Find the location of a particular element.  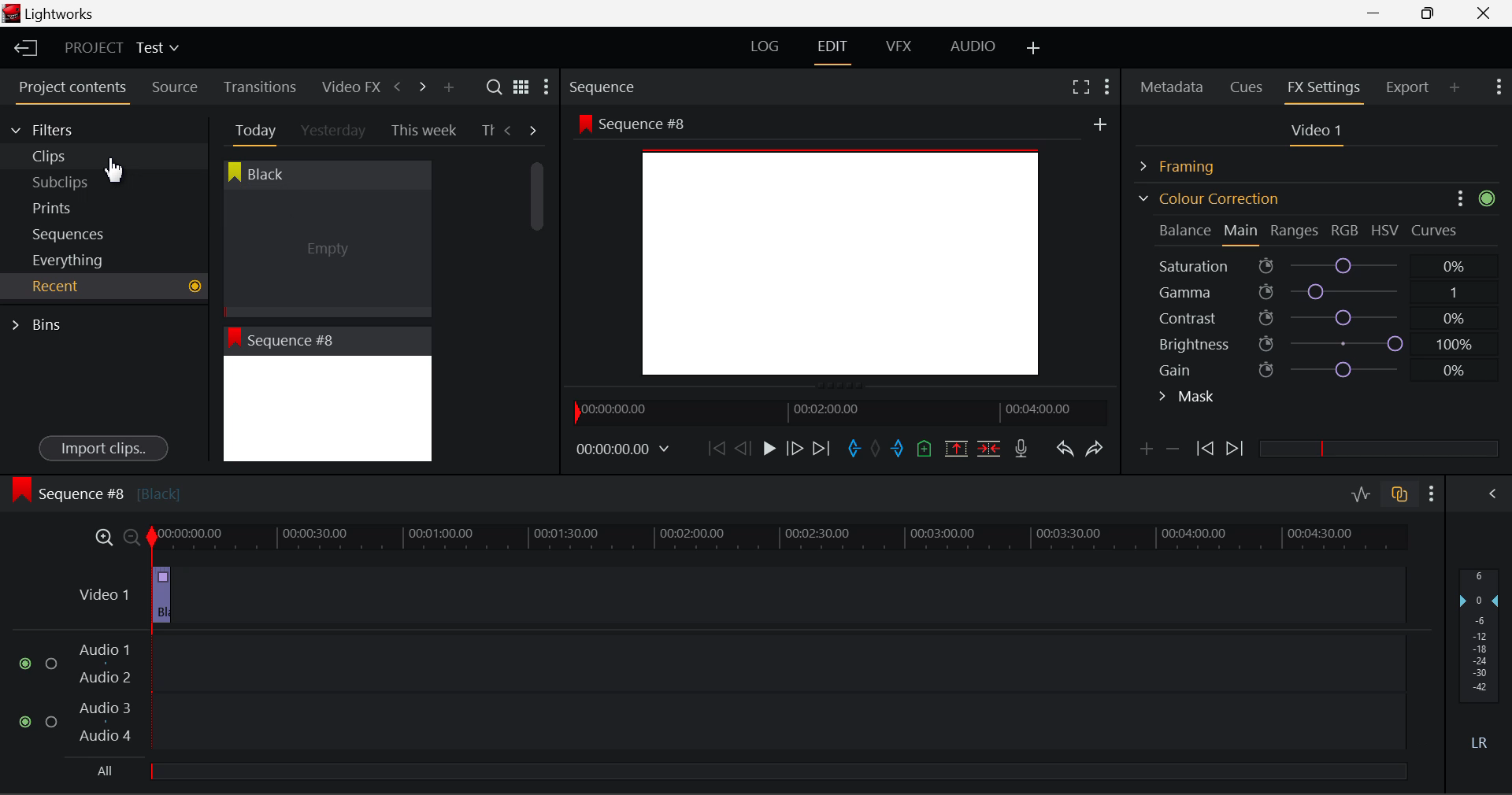

Background changed is located at coordinates (847, 248).